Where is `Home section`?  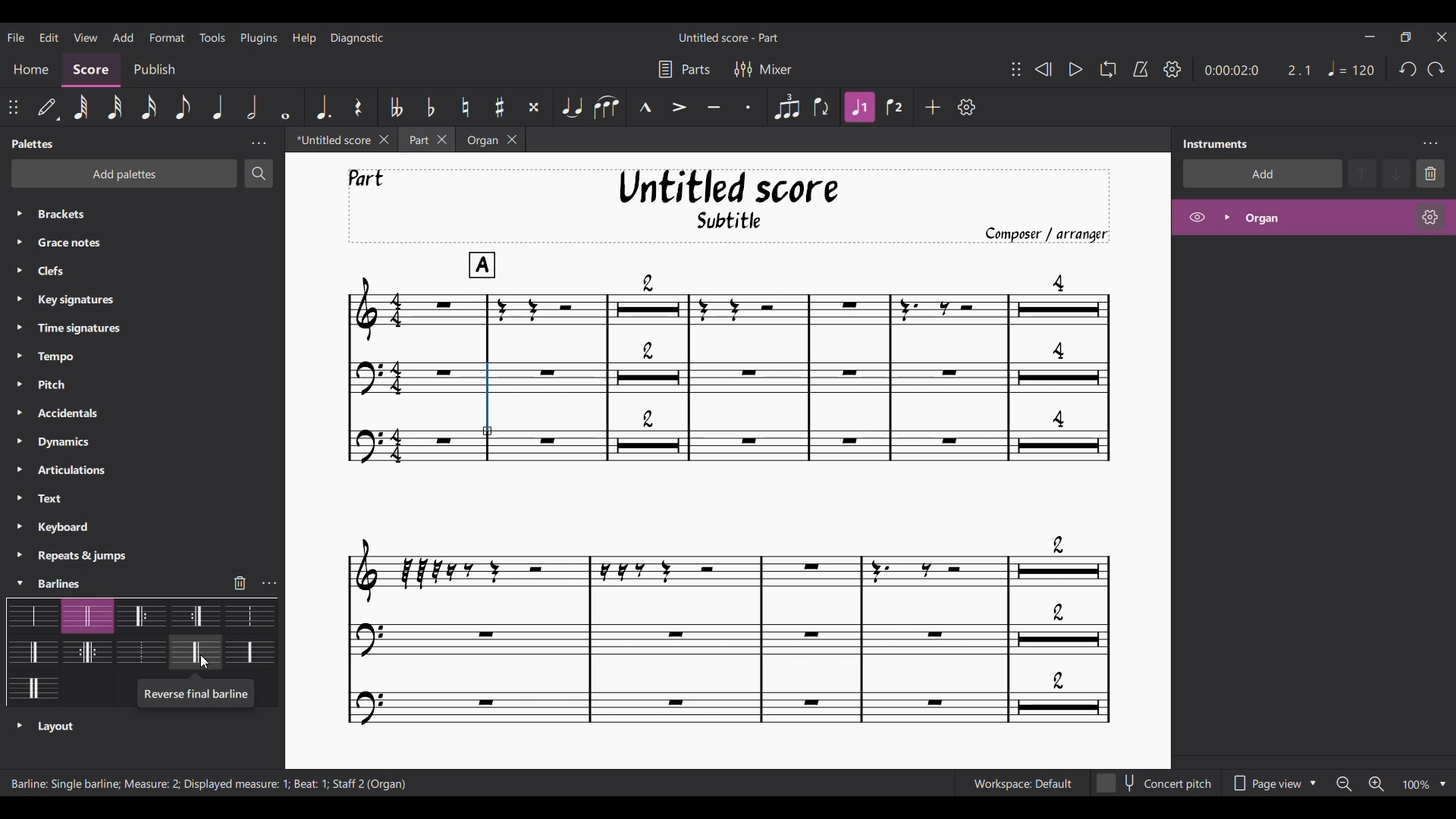 Home section is located at coordinates (30, 69).